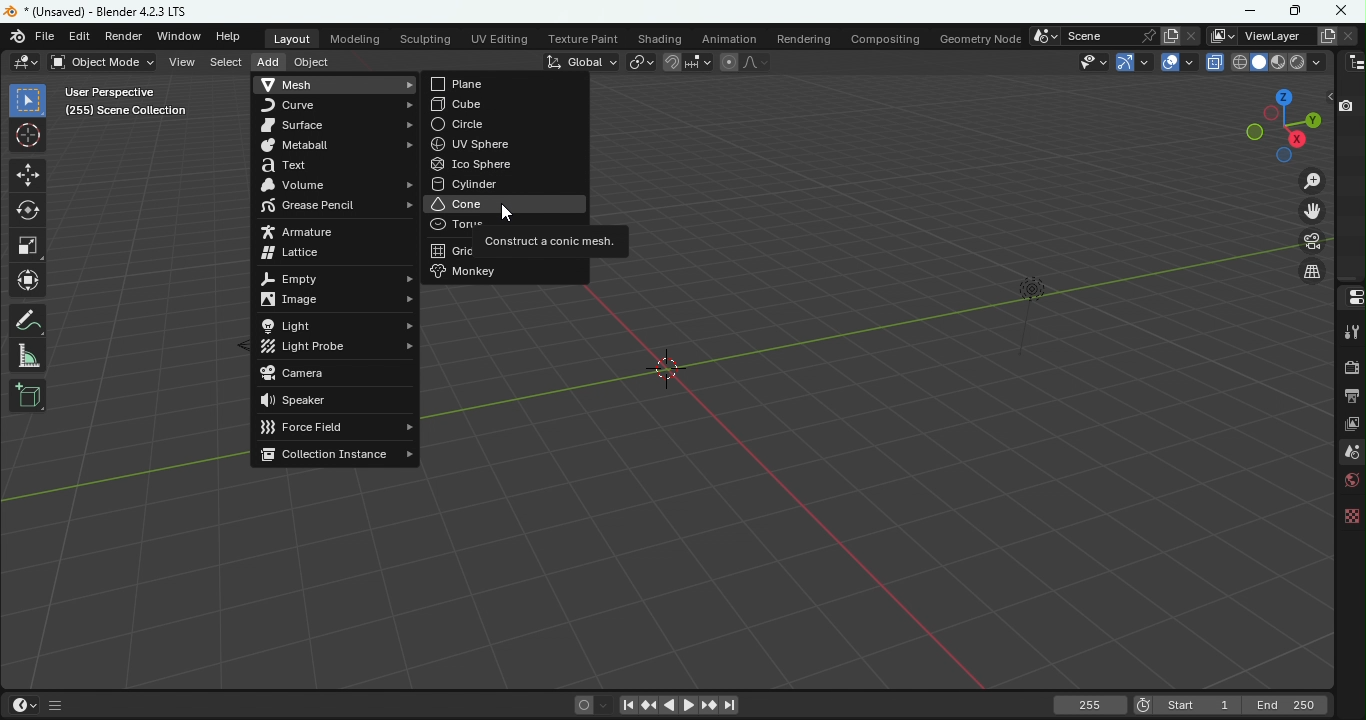  I want to click on Rendering, so click(805, 38).